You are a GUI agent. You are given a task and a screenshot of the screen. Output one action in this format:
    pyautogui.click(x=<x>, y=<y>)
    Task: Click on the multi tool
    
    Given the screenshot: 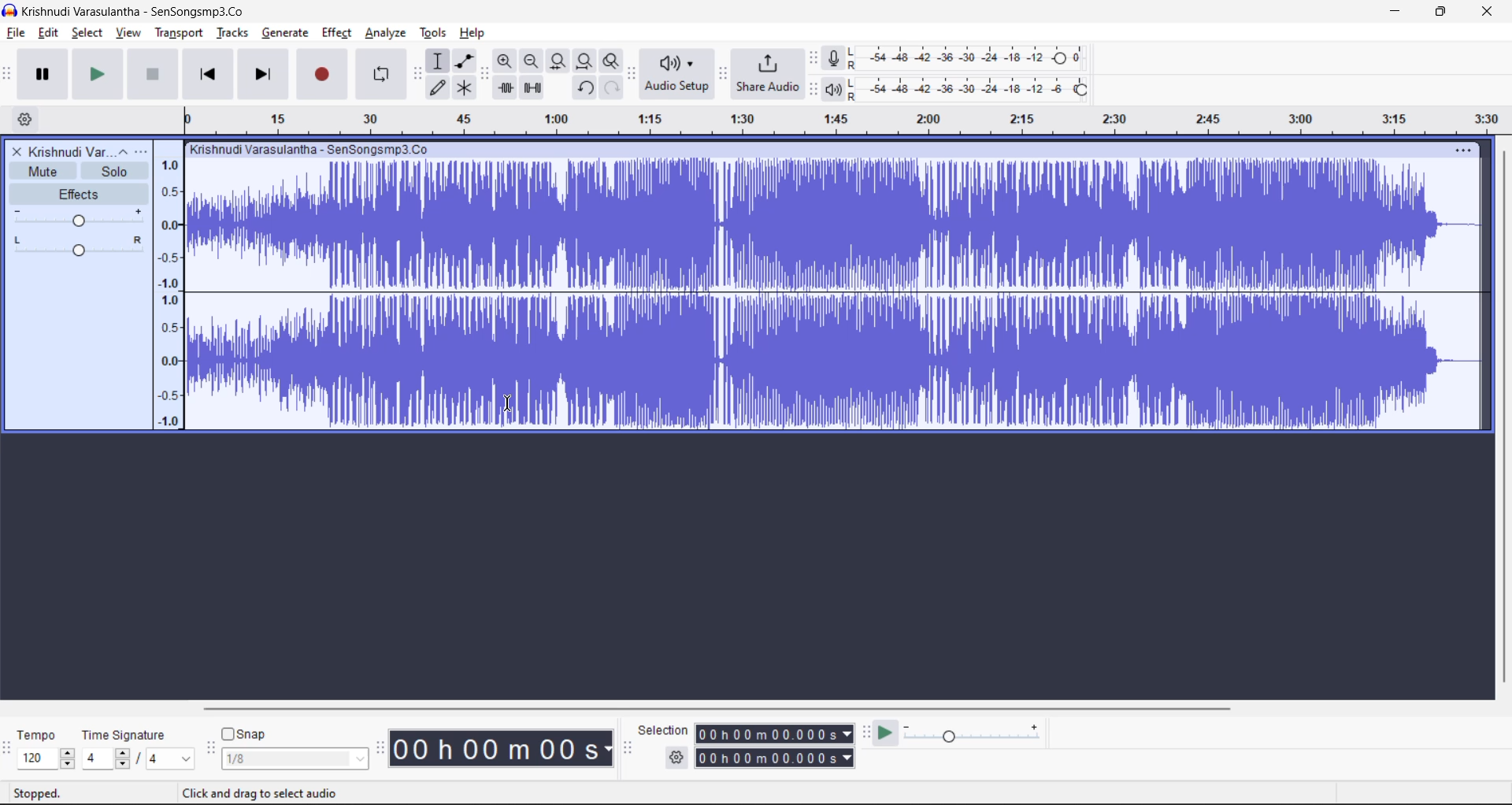 What is the action you would take?
    pyautogui.click(x=466, y=88)
    